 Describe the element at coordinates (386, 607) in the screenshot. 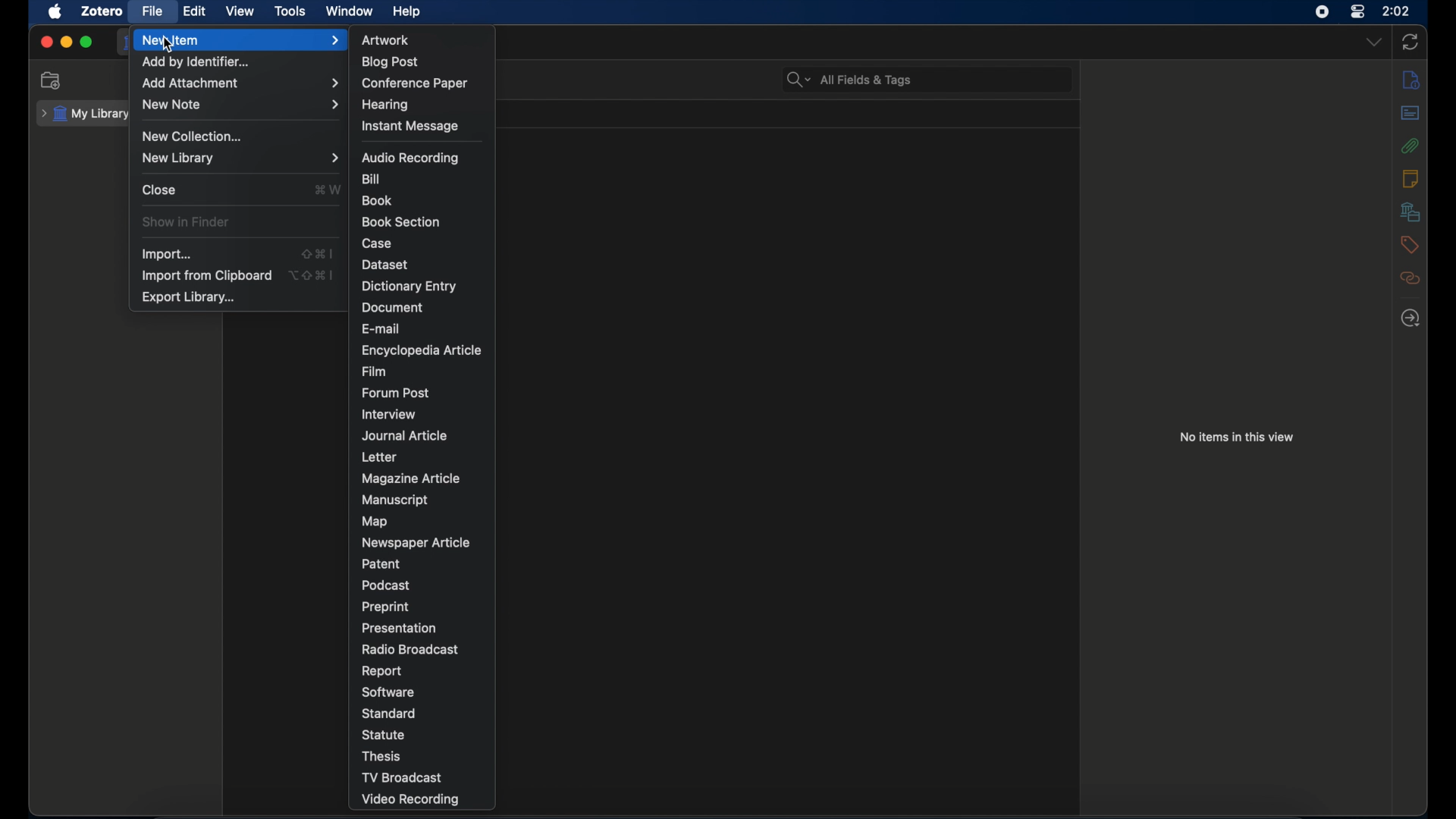

I see `preprint` at that location.